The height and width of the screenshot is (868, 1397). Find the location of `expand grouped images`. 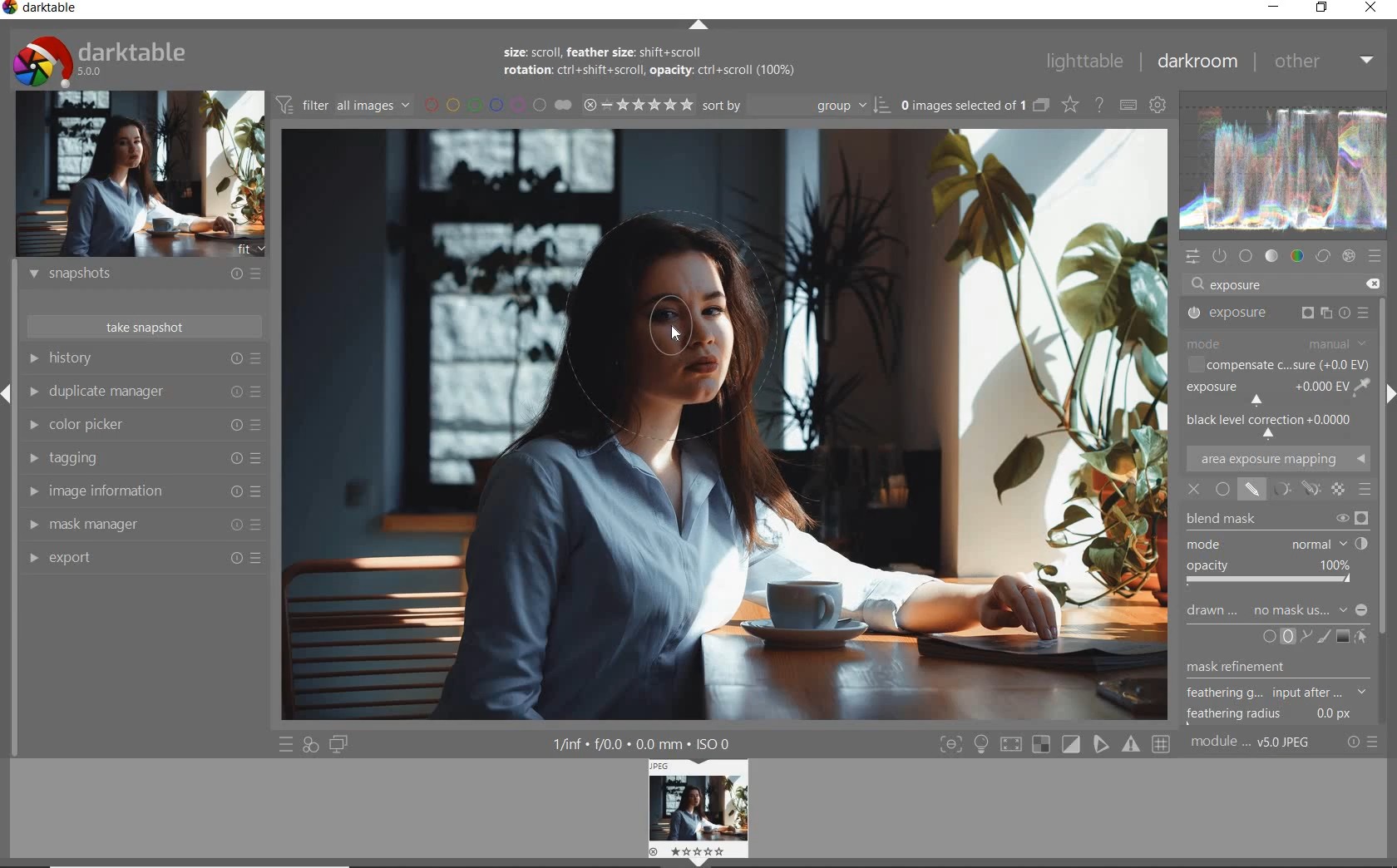

expand grouped images is located at coordinates (976, 107).